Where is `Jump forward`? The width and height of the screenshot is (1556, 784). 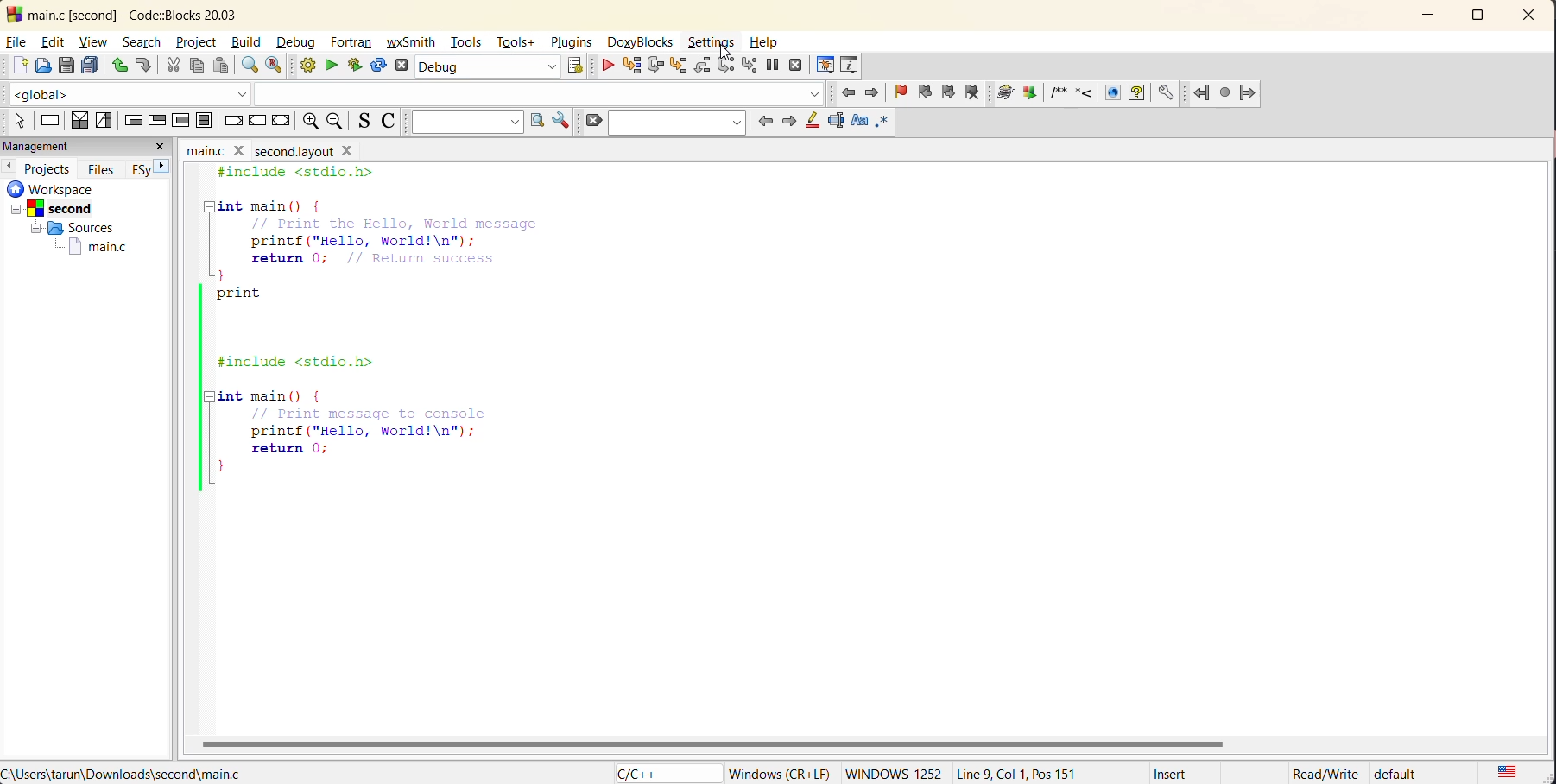
Jump forward is located at coordinates (1249, 91).